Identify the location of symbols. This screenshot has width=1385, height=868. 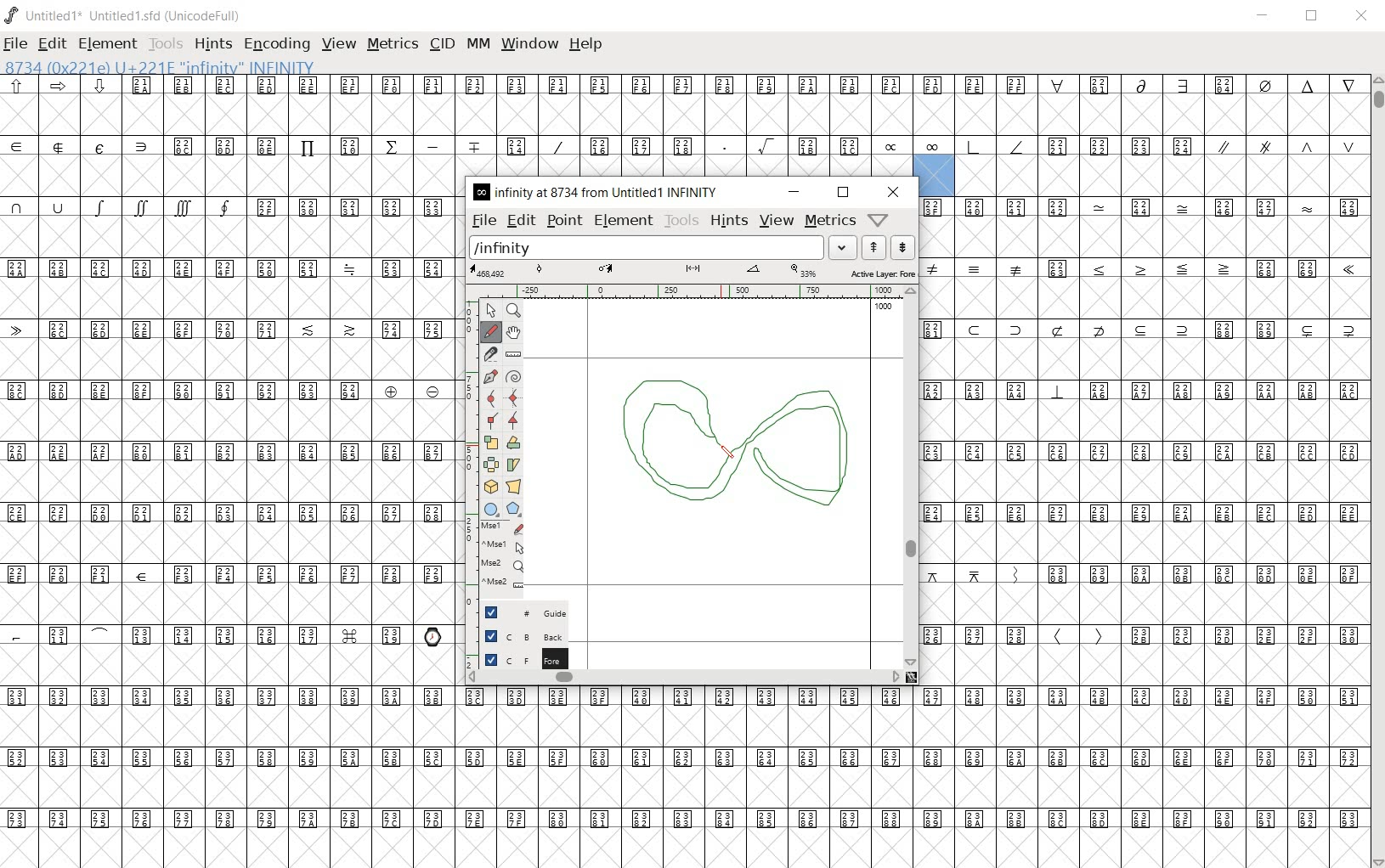
(1078, 636).